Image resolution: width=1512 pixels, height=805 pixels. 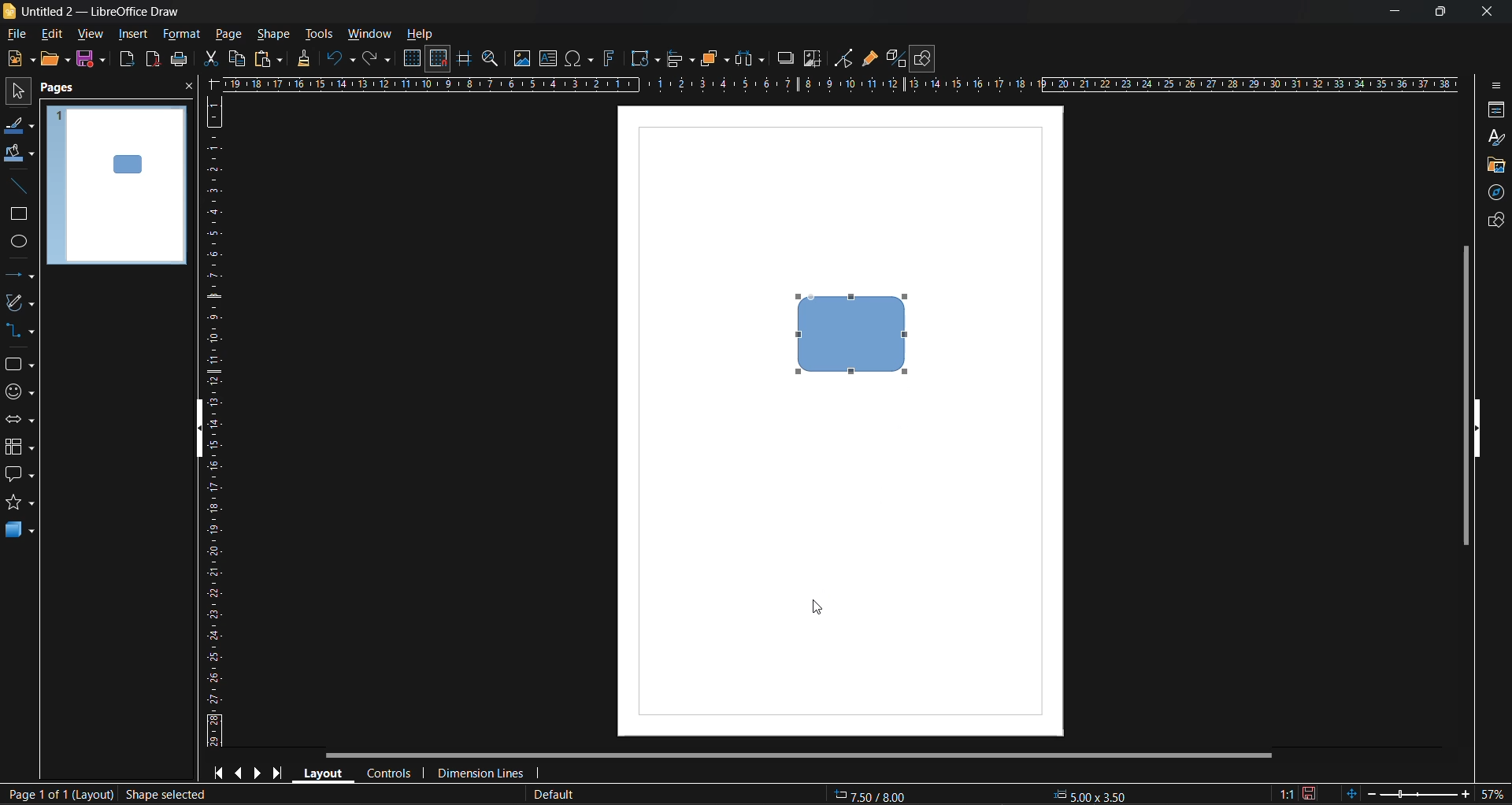 I want to click on image, so click(x=521, y=58).